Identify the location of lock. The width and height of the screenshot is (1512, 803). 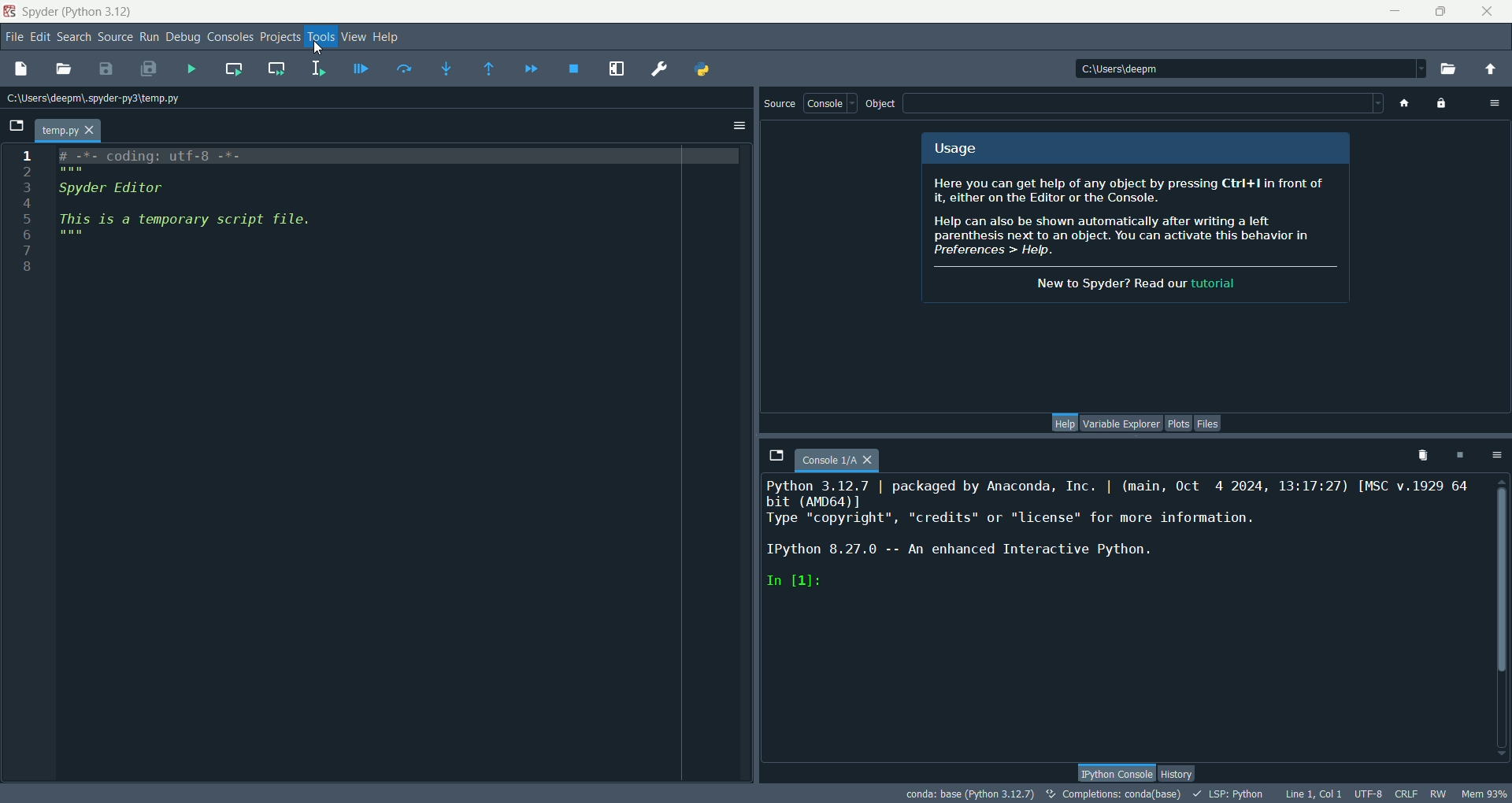
(1442, 102).